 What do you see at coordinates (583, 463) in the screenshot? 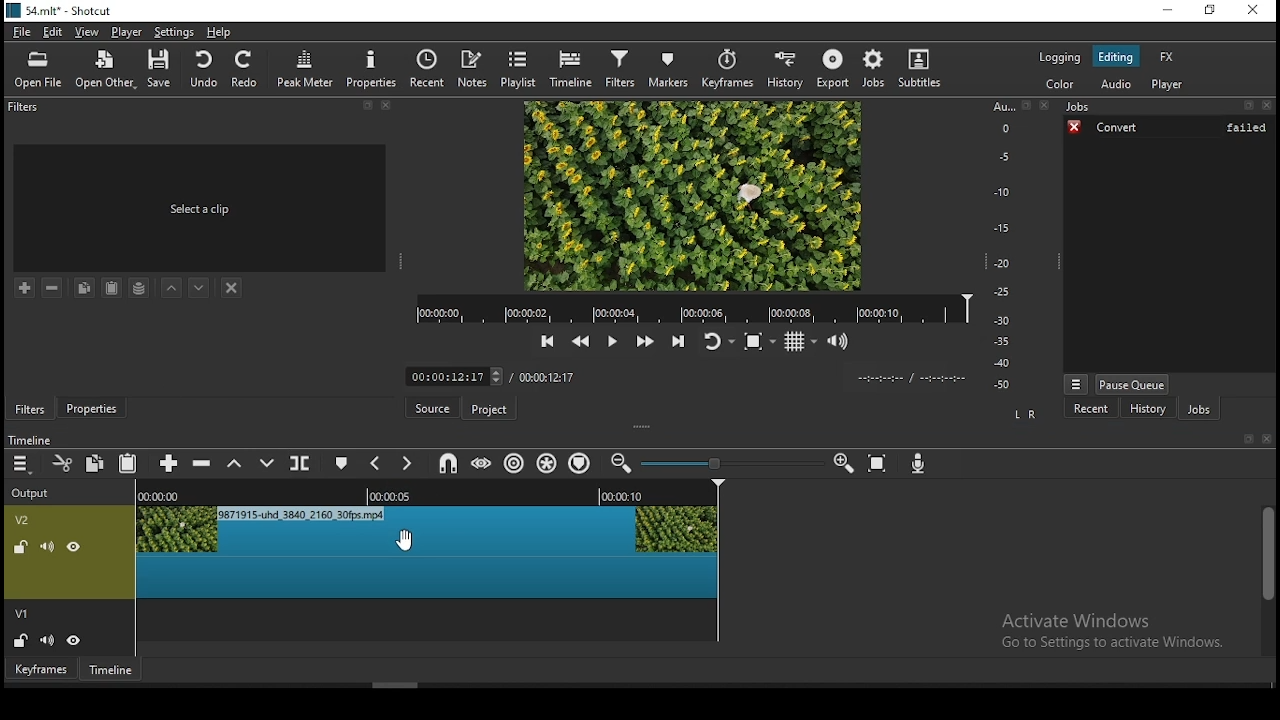
I see `ripple markers` at bounding box center [583, 463].